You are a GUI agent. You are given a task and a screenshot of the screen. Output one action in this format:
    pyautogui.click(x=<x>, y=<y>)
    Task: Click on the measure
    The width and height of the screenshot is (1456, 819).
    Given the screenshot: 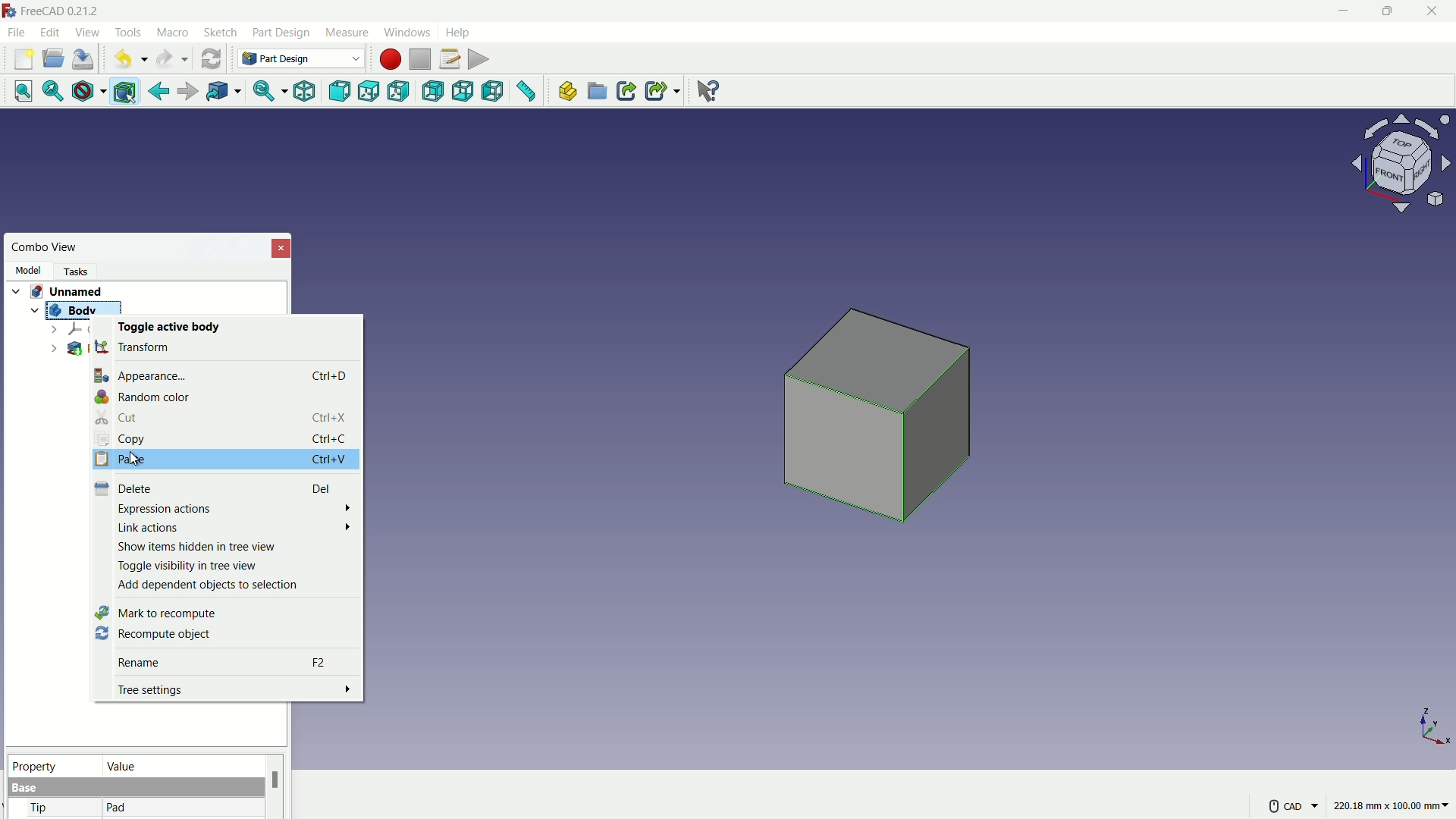 What is the action you would take?
    pyautogui.click(x=527, y=93)
    